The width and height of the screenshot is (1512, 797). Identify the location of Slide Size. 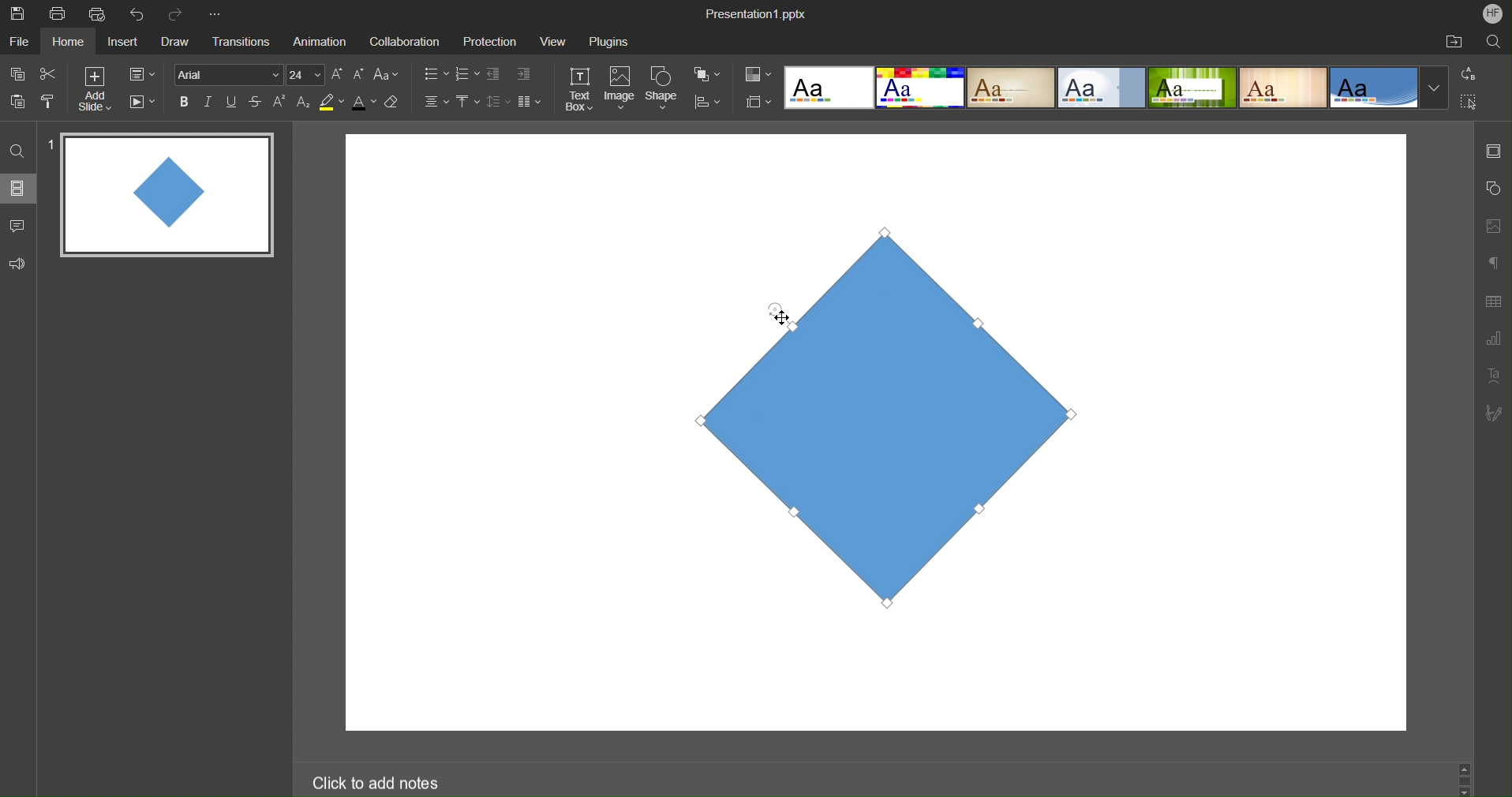
(757, 101).